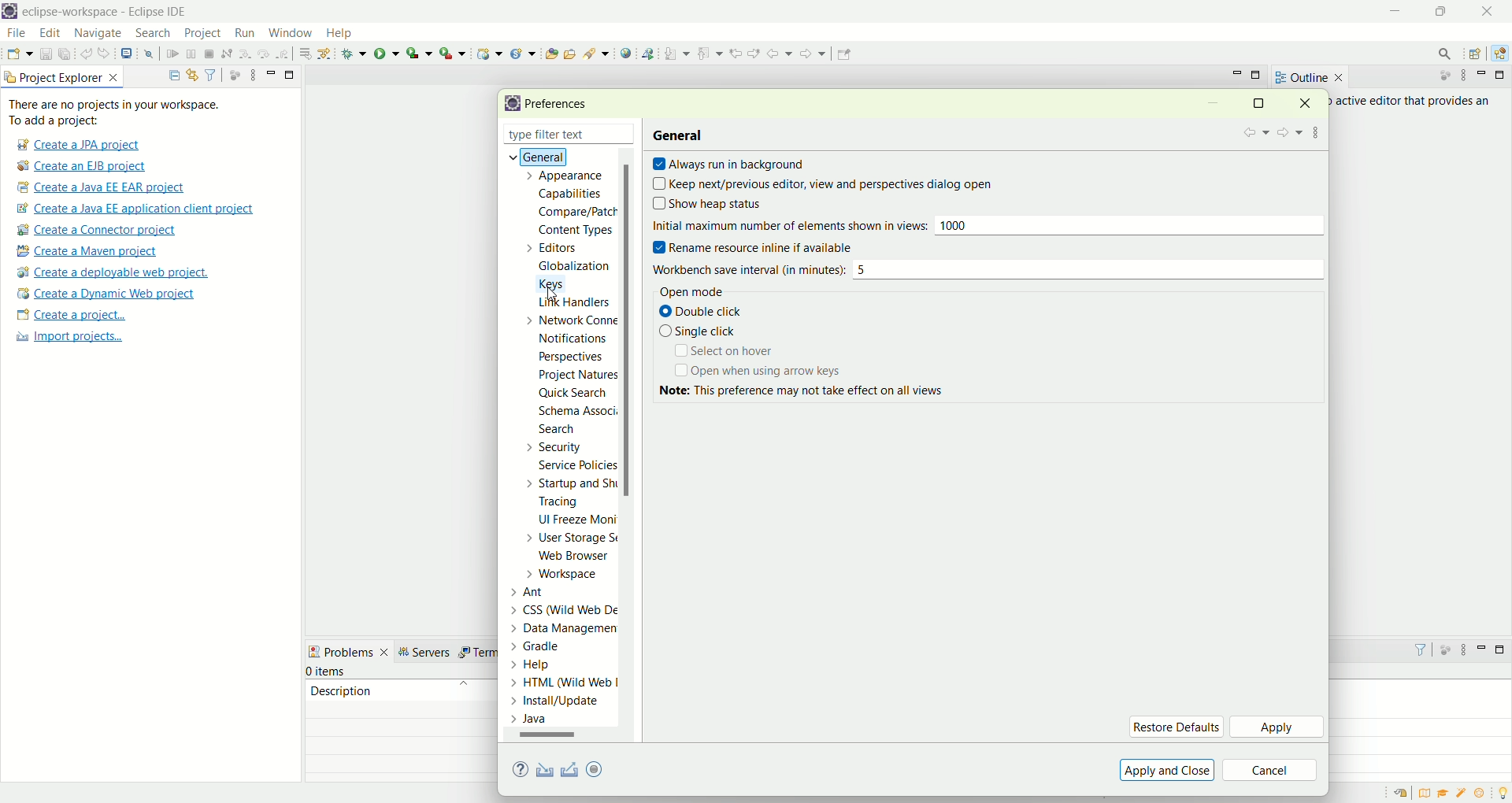 Image resolution: width=1512 pixels, height=803 pixels. Describe the element at coordinates (1270, 772) in the screenshot. I see `cancel` at that location.